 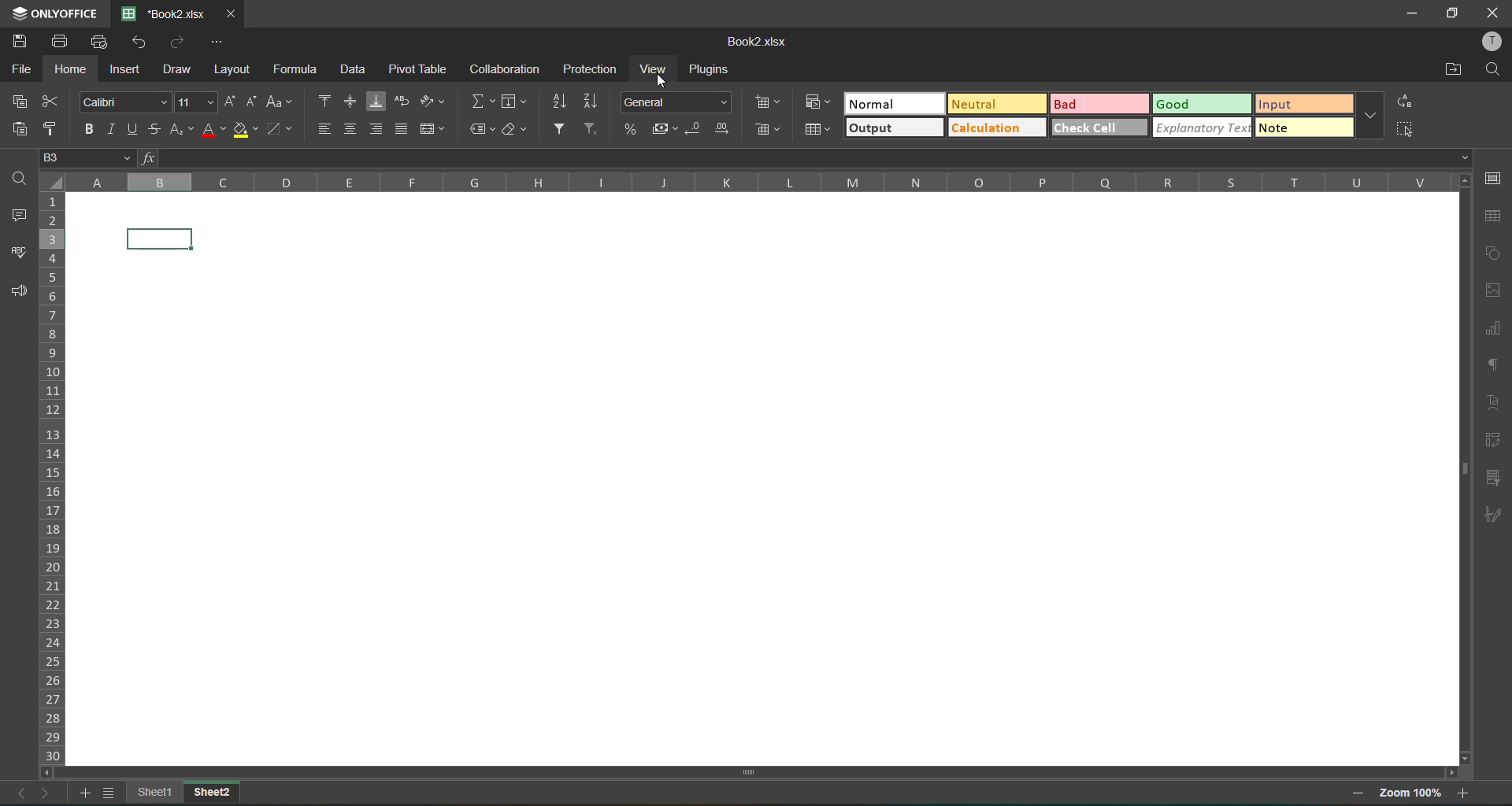 What do you see at coordinates (87, 797) in the screenshot?
I see `add sheet` at bounding box center [87, 797].